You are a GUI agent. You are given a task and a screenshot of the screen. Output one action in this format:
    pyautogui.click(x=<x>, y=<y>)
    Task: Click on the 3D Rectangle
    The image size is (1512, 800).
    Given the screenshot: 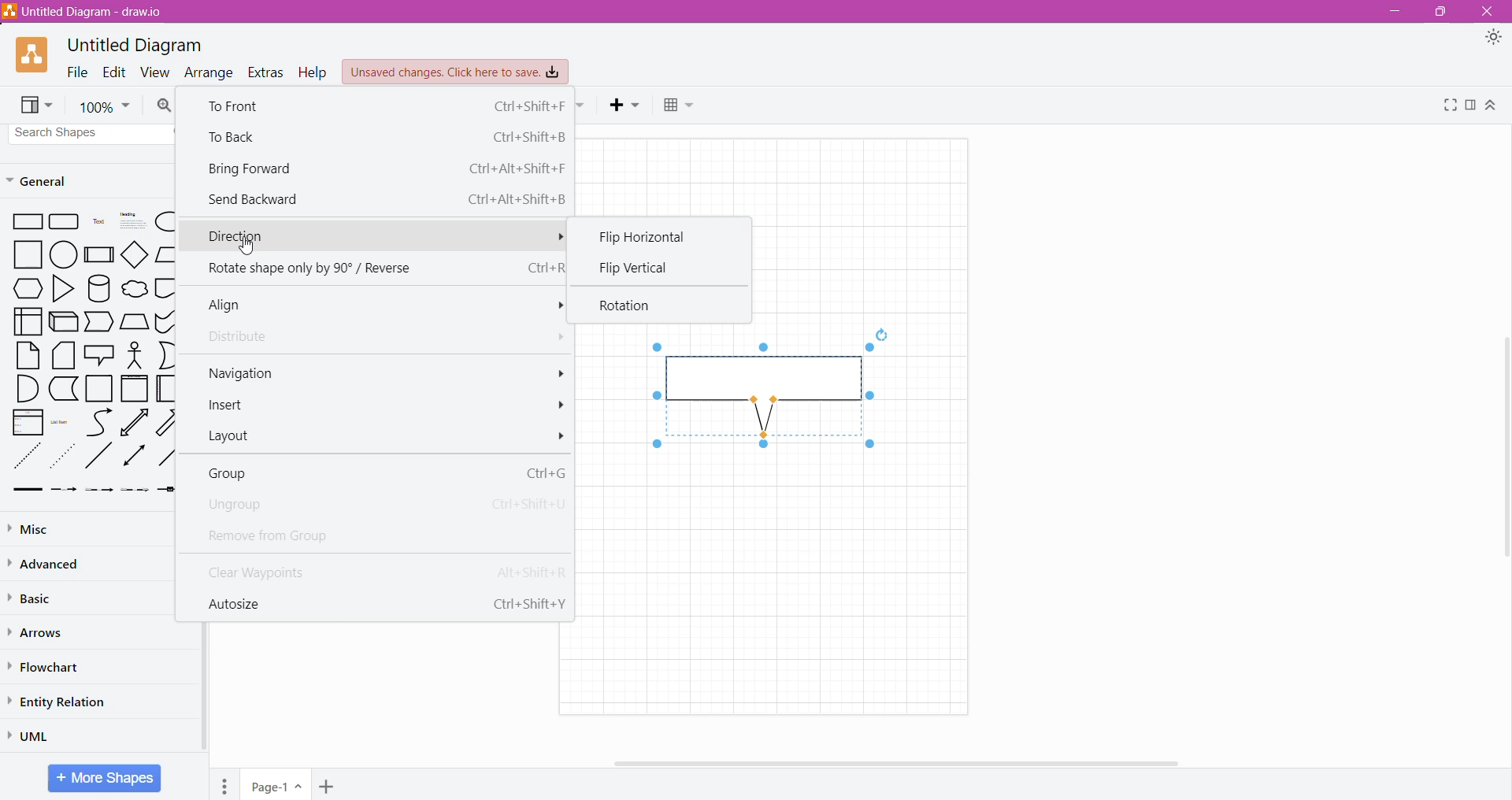 What is the action you would take?
    pyautogui.click(x=64, y=321)
    